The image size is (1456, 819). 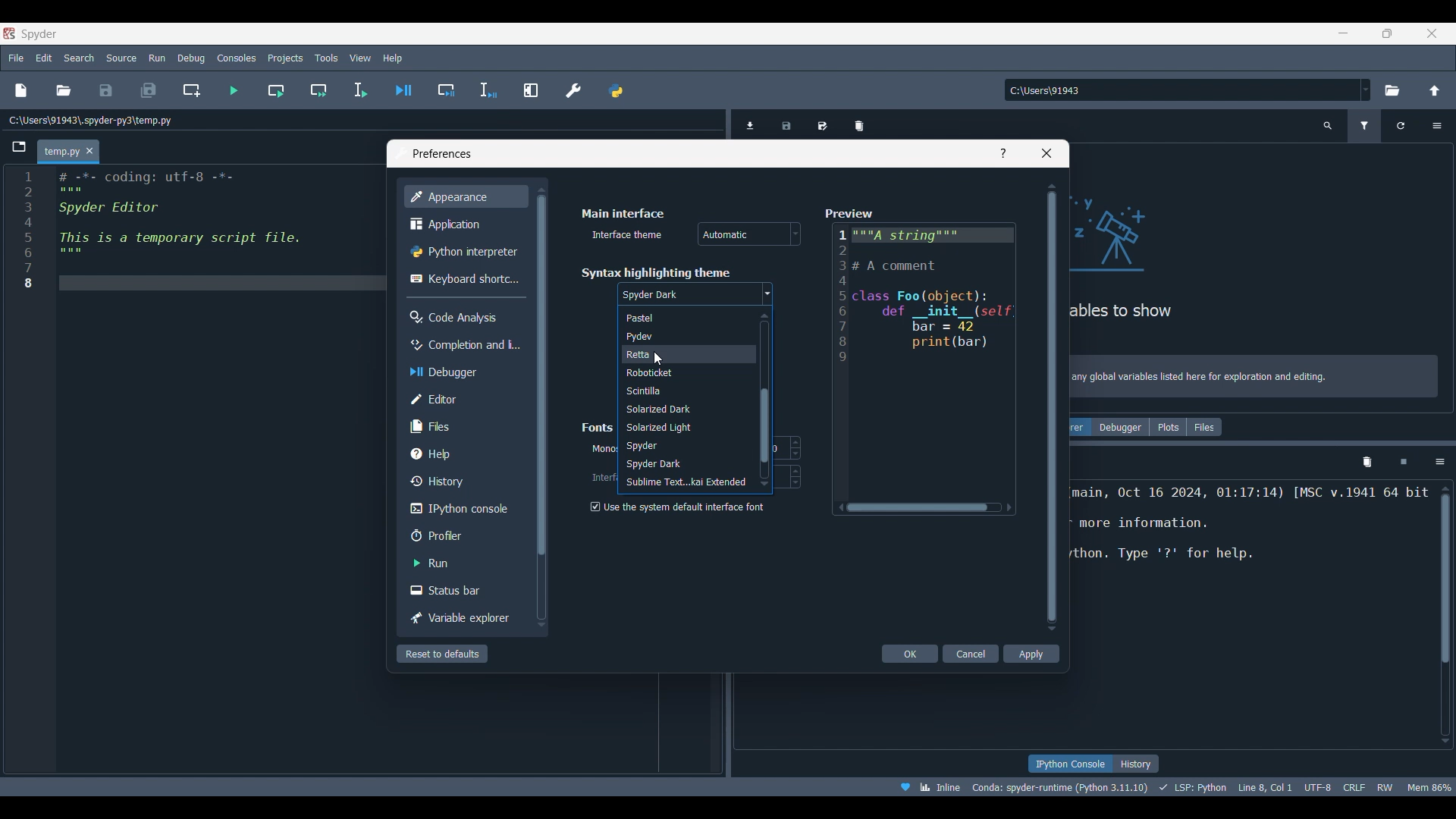 What do you see at coordinates (602, 478) in the screenshot?
I see `Indicates interface settings` at bounding box center [602, 478].